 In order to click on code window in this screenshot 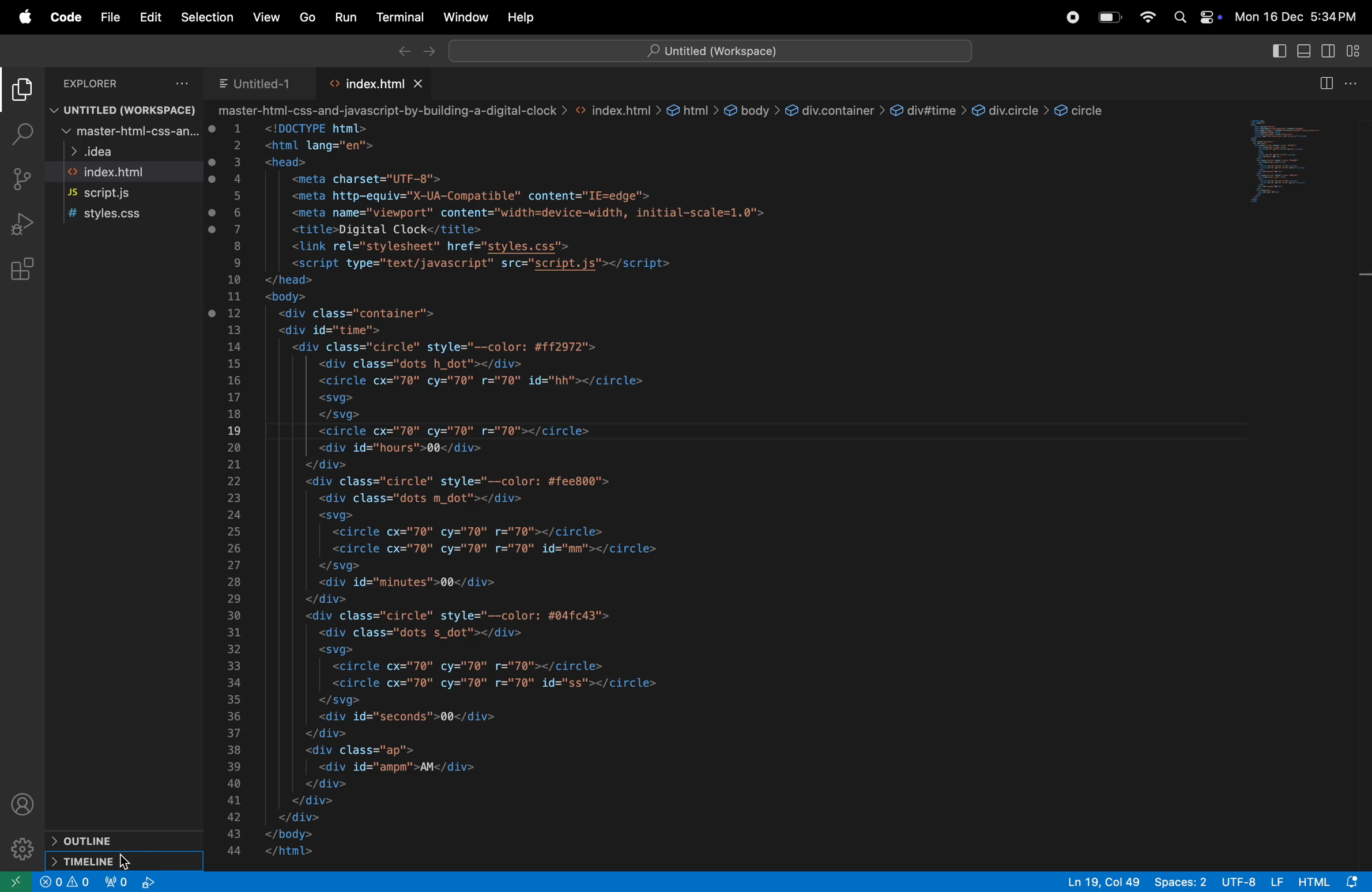, I will do `click(1298, 158)`.